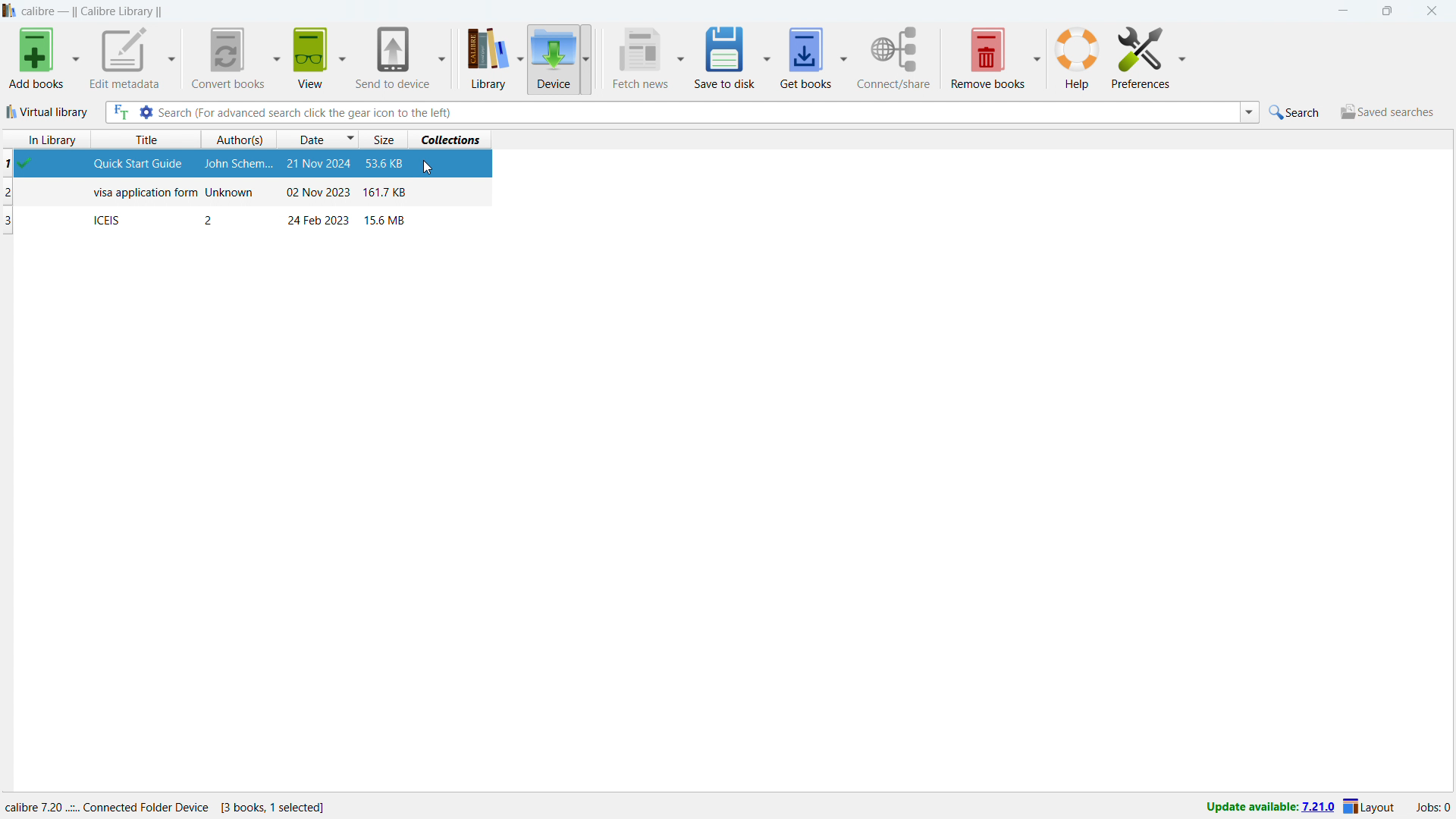  What do you see at coordinates (1432, 809) in the screenshot?
I see `active jobs` at bounding box center [1432, 809].